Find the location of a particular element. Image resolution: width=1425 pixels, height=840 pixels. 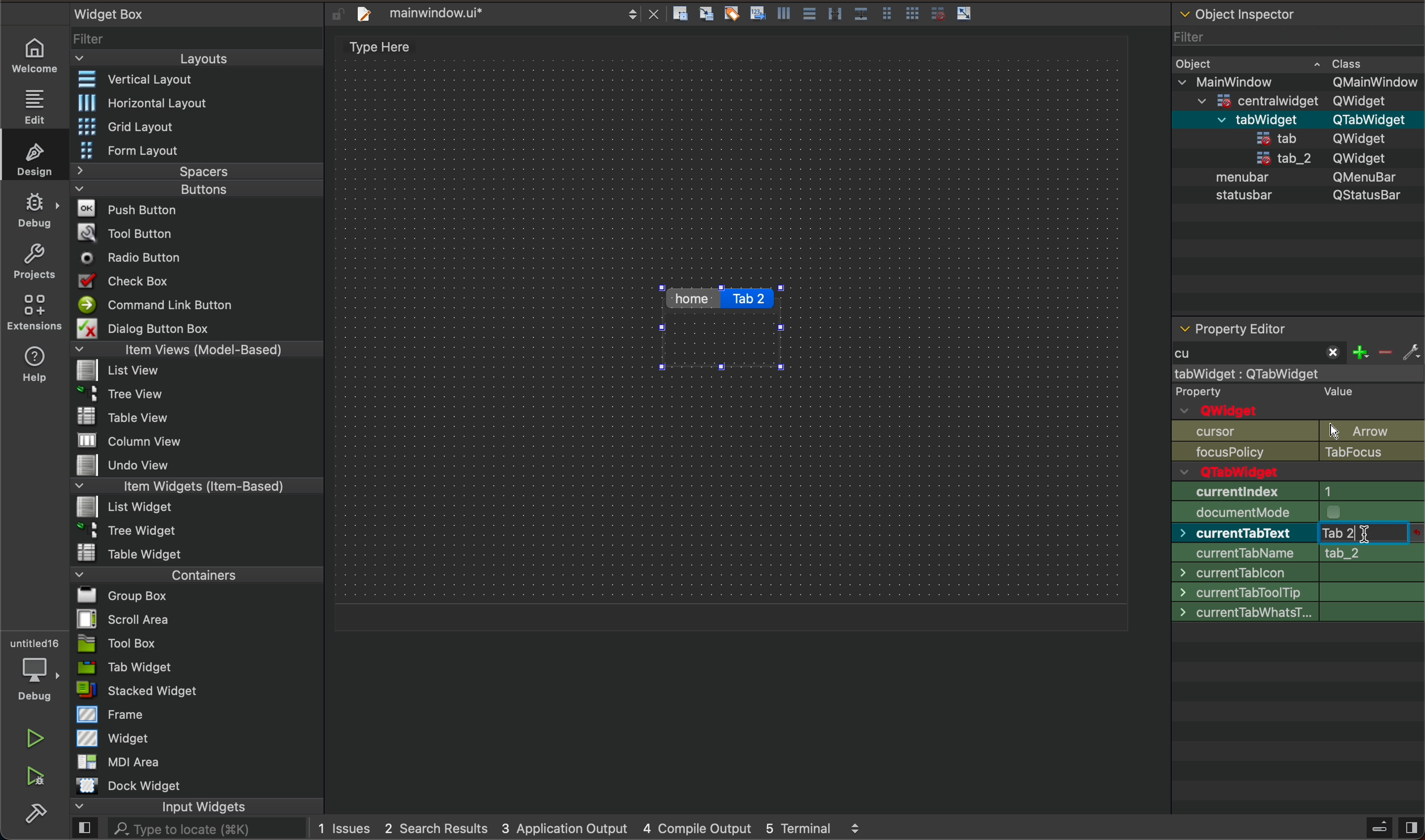

min size is located at coordinates (1299, 532).